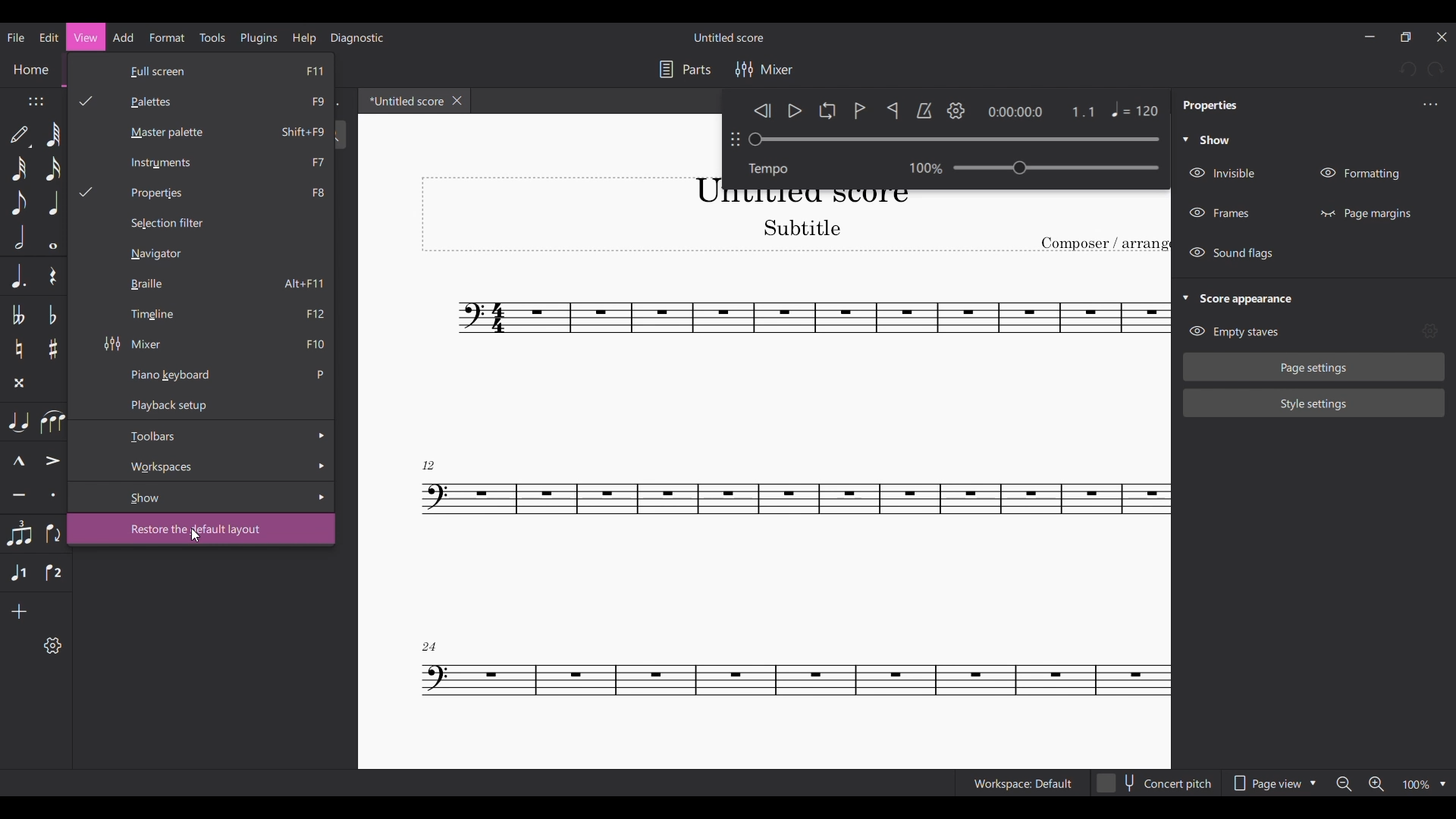  What do you see at coordinates (168, 37) in the screenshot?
I see `Format` at bounding box center [168, 37].